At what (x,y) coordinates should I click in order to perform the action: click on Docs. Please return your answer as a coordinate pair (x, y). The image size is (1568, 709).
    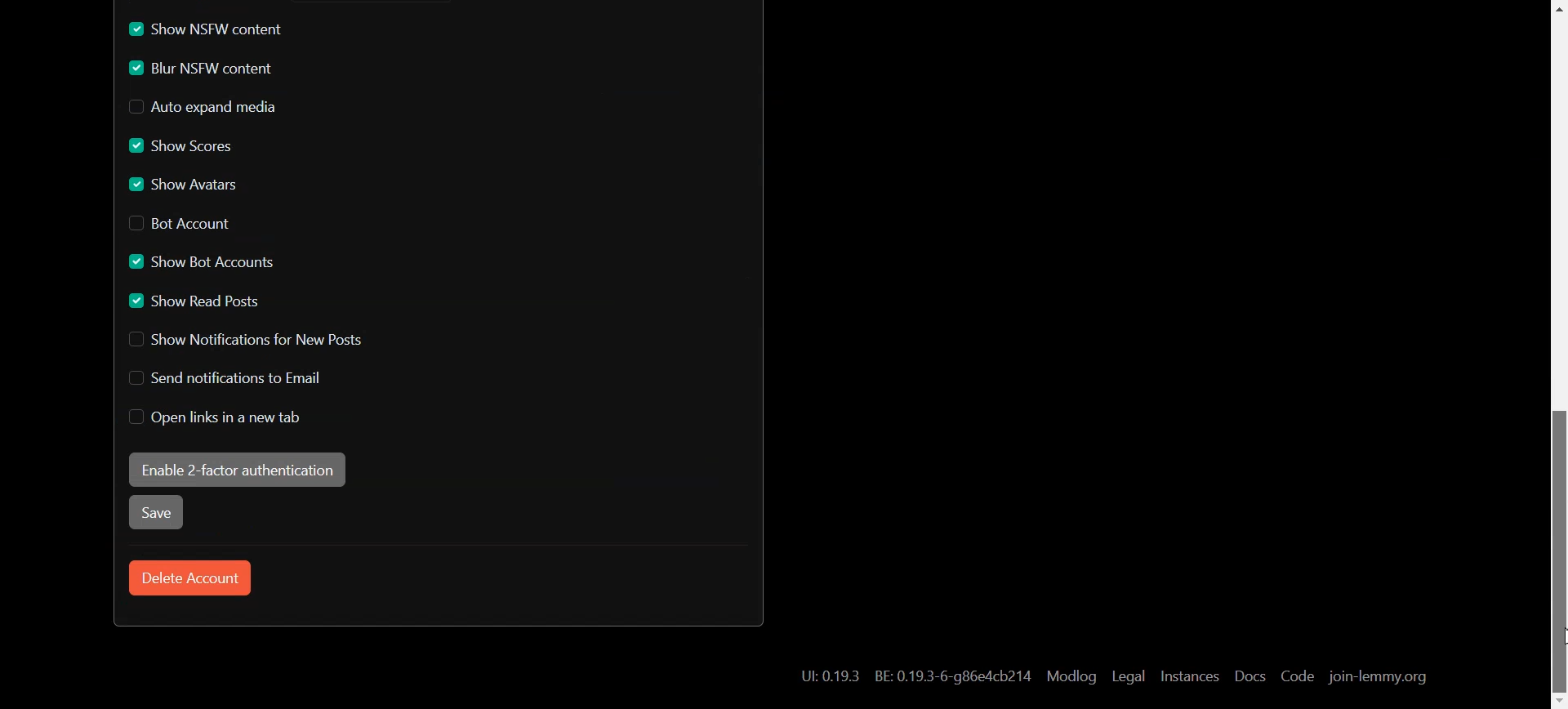
    Looking at the image, I should click on (1249, 677).